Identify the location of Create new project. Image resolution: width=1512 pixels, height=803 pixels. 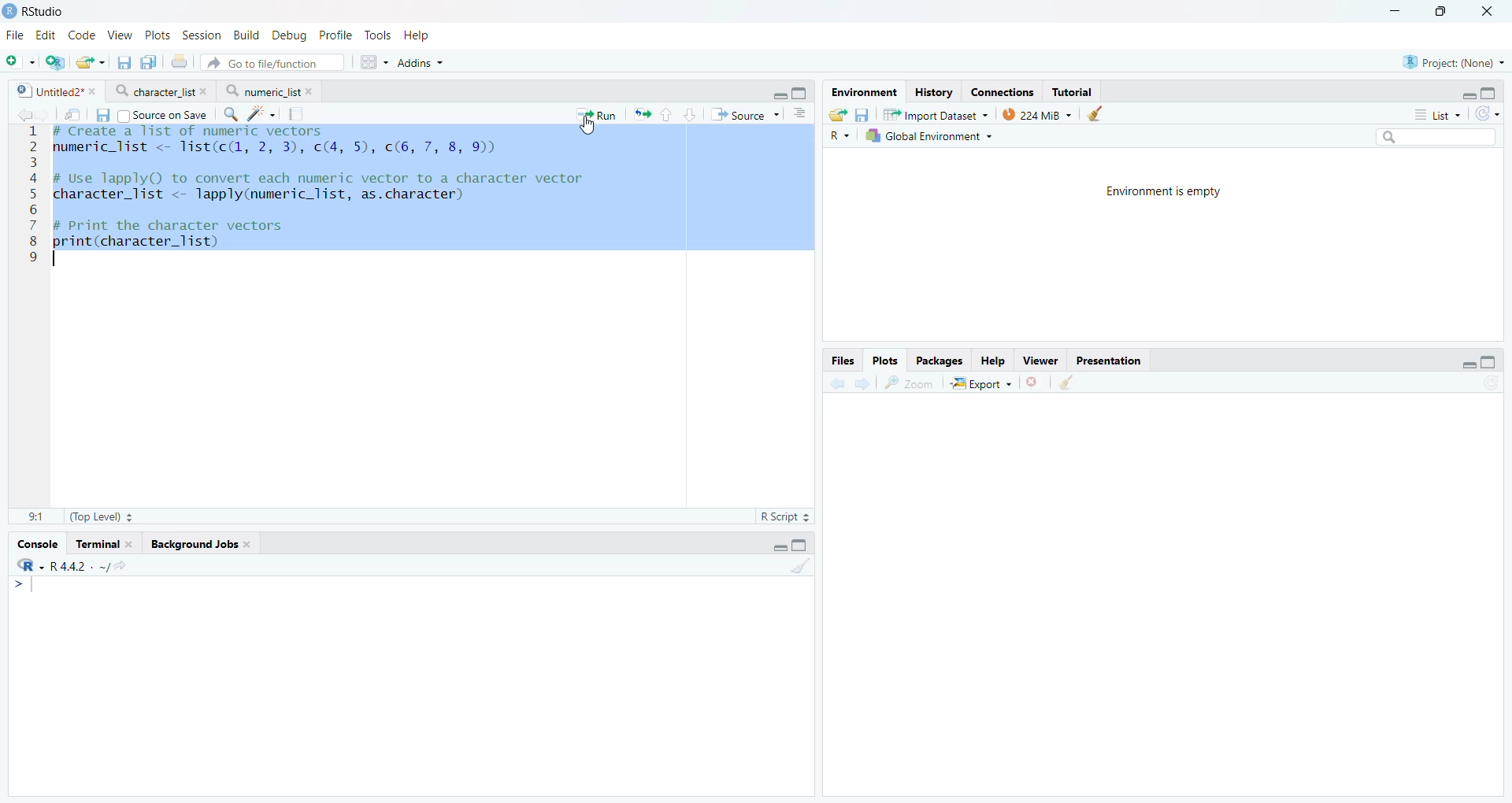
(55, 63).